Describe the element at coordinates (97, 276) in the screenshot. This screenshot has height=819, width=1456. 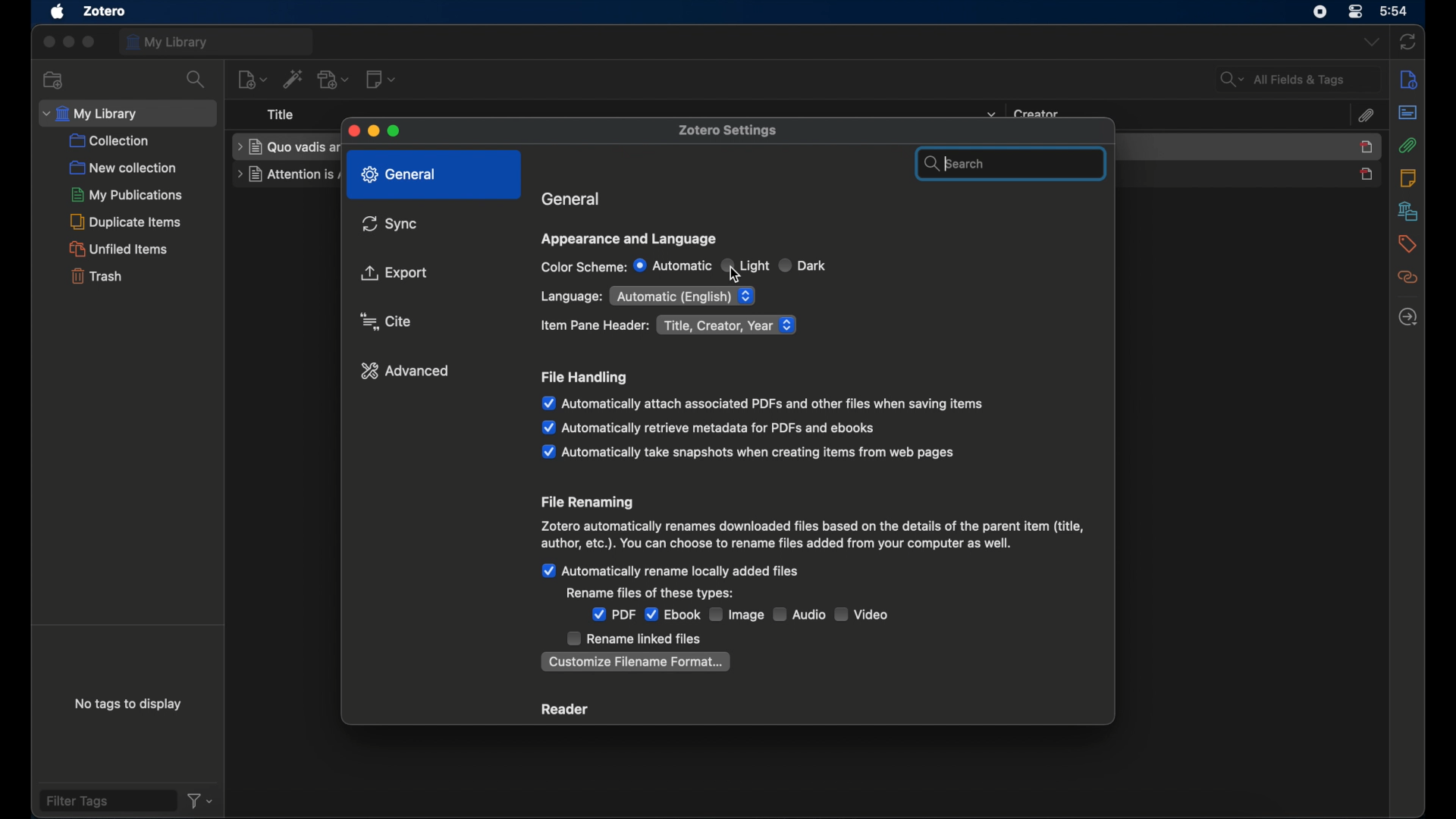
I see `trash` at that location.